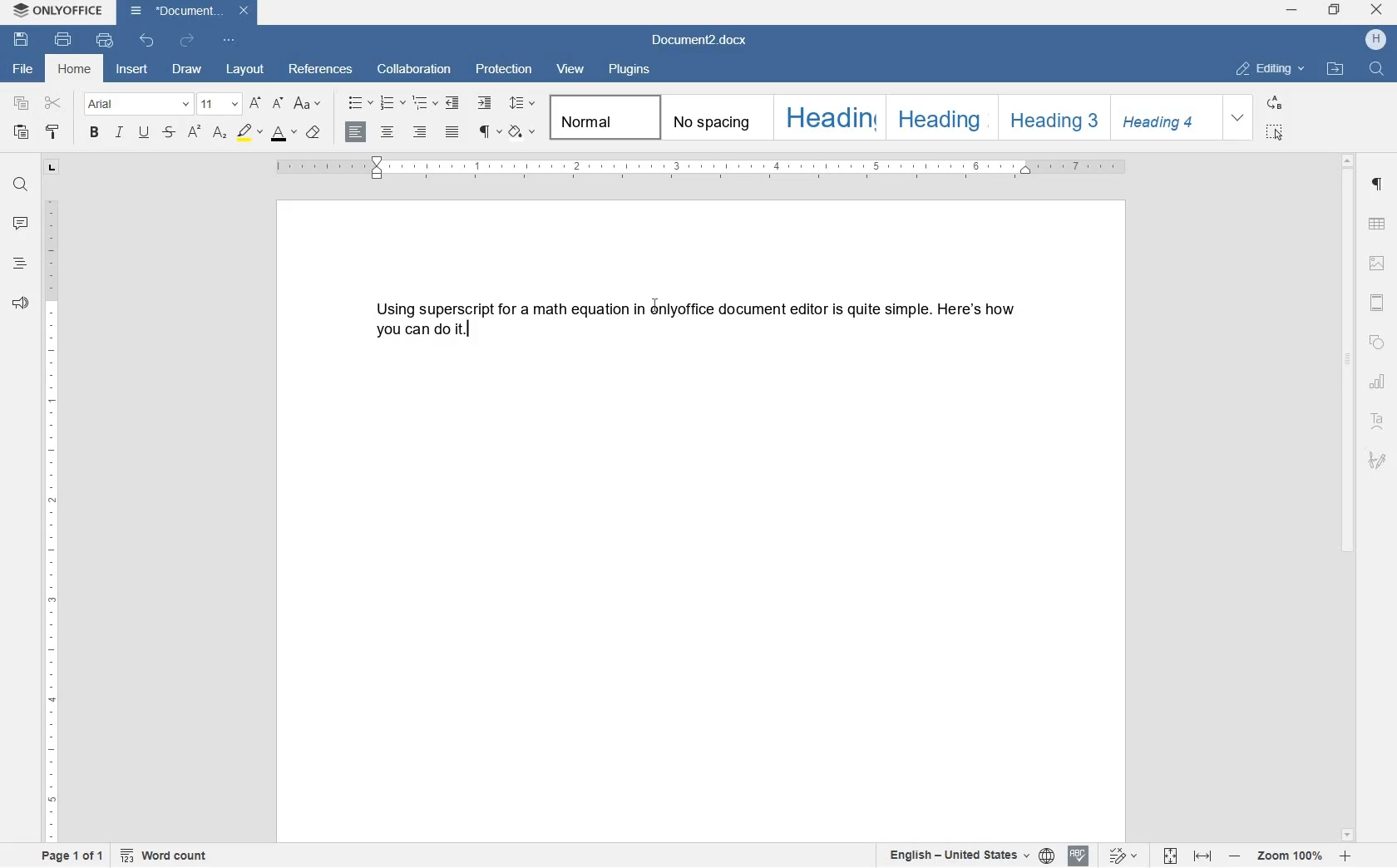 The height and width of the screenshot is (868, 1397). I want to click on subscript, so click(219, 134).